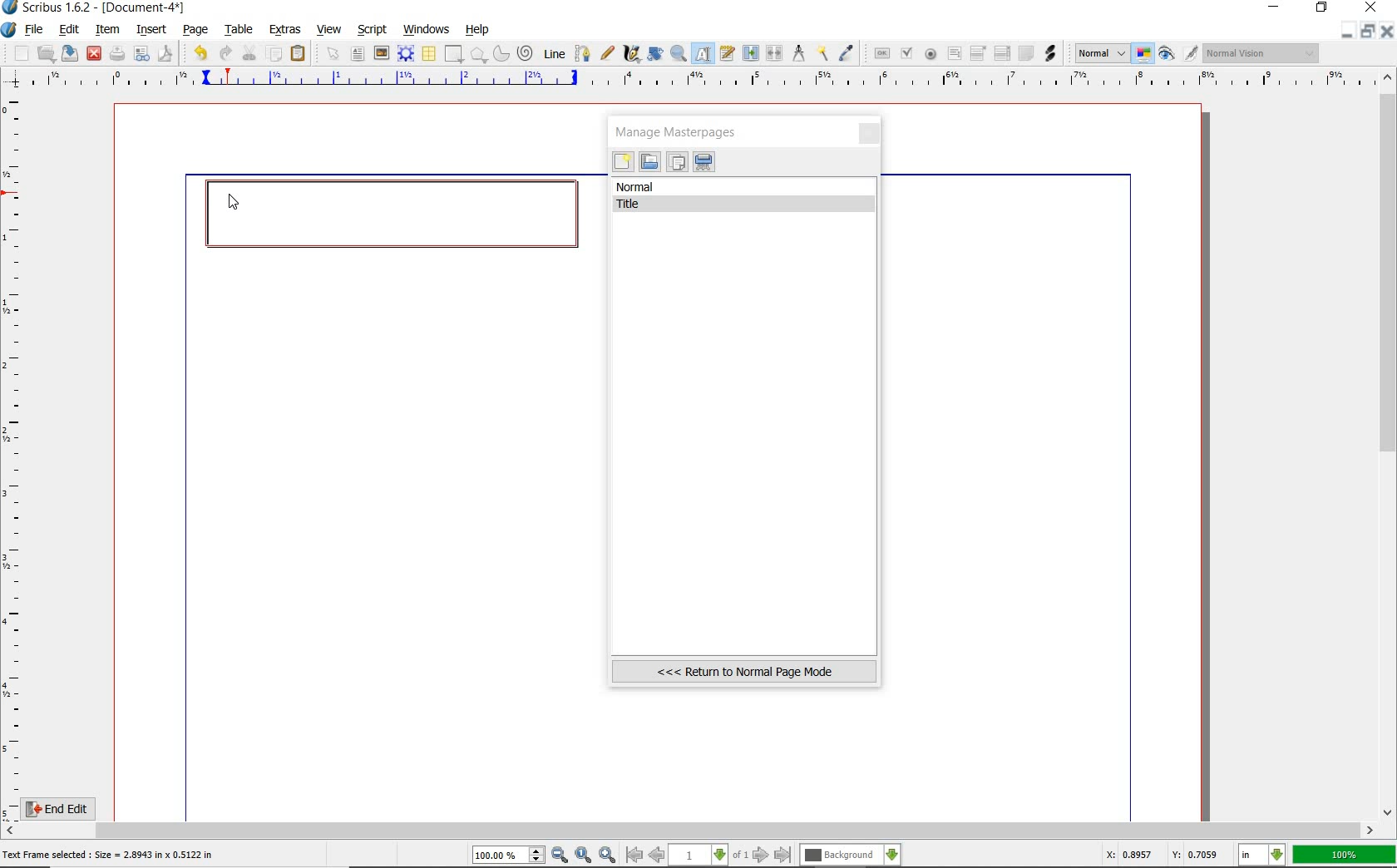 Image resolution: width=1397 pixels, height=868 pixels. I want to click on delete the selected masterpages, so click(704, 162).